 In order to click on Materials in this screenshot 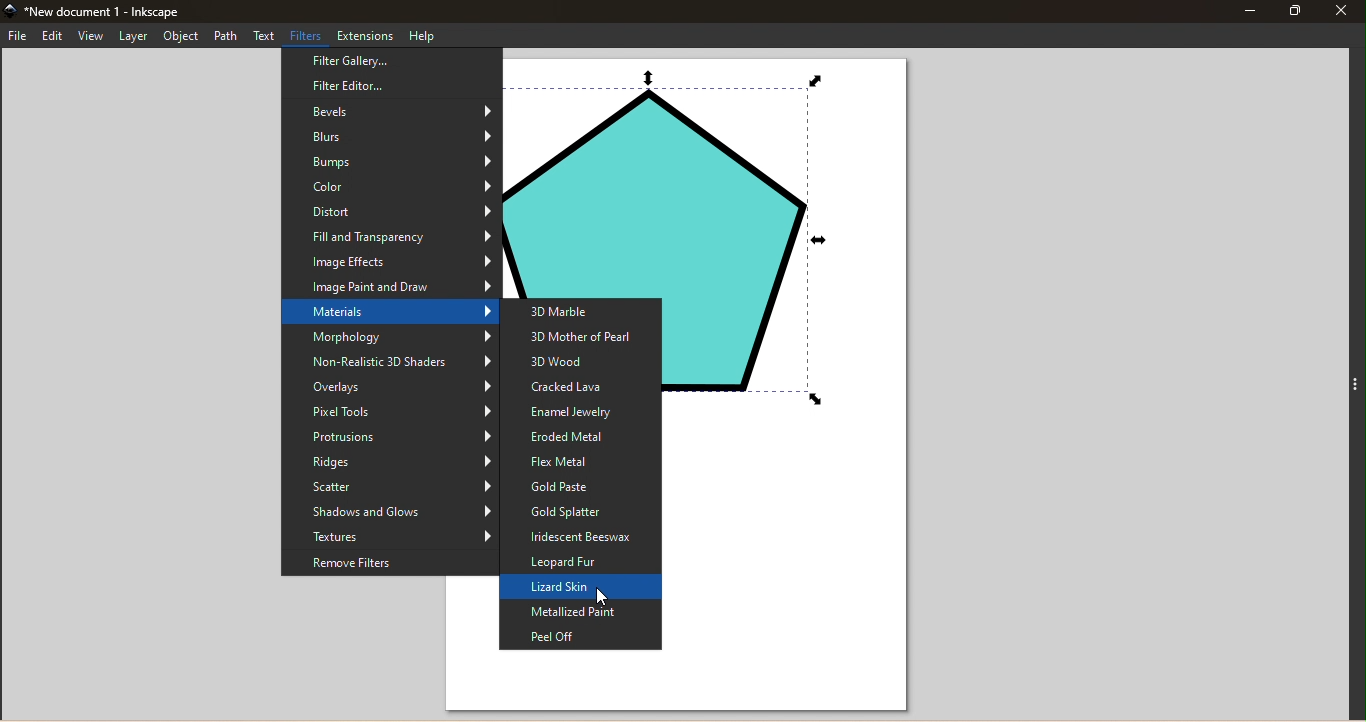, I will do `click(389, 314)`.